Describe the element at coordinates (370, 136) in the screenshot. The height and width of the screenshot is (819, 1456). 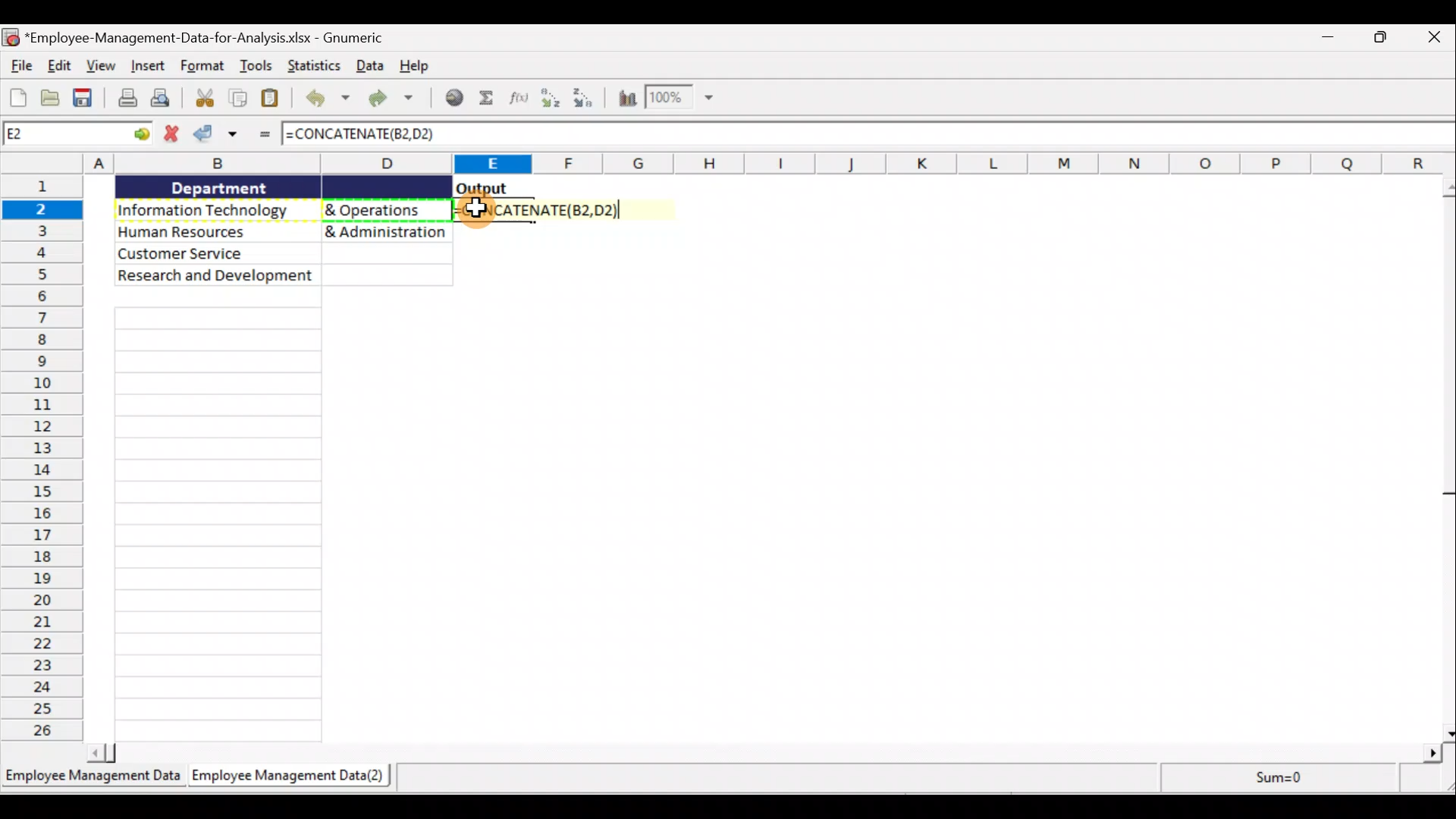
I see `=CONCATENATE(B2,D2)` at that location.